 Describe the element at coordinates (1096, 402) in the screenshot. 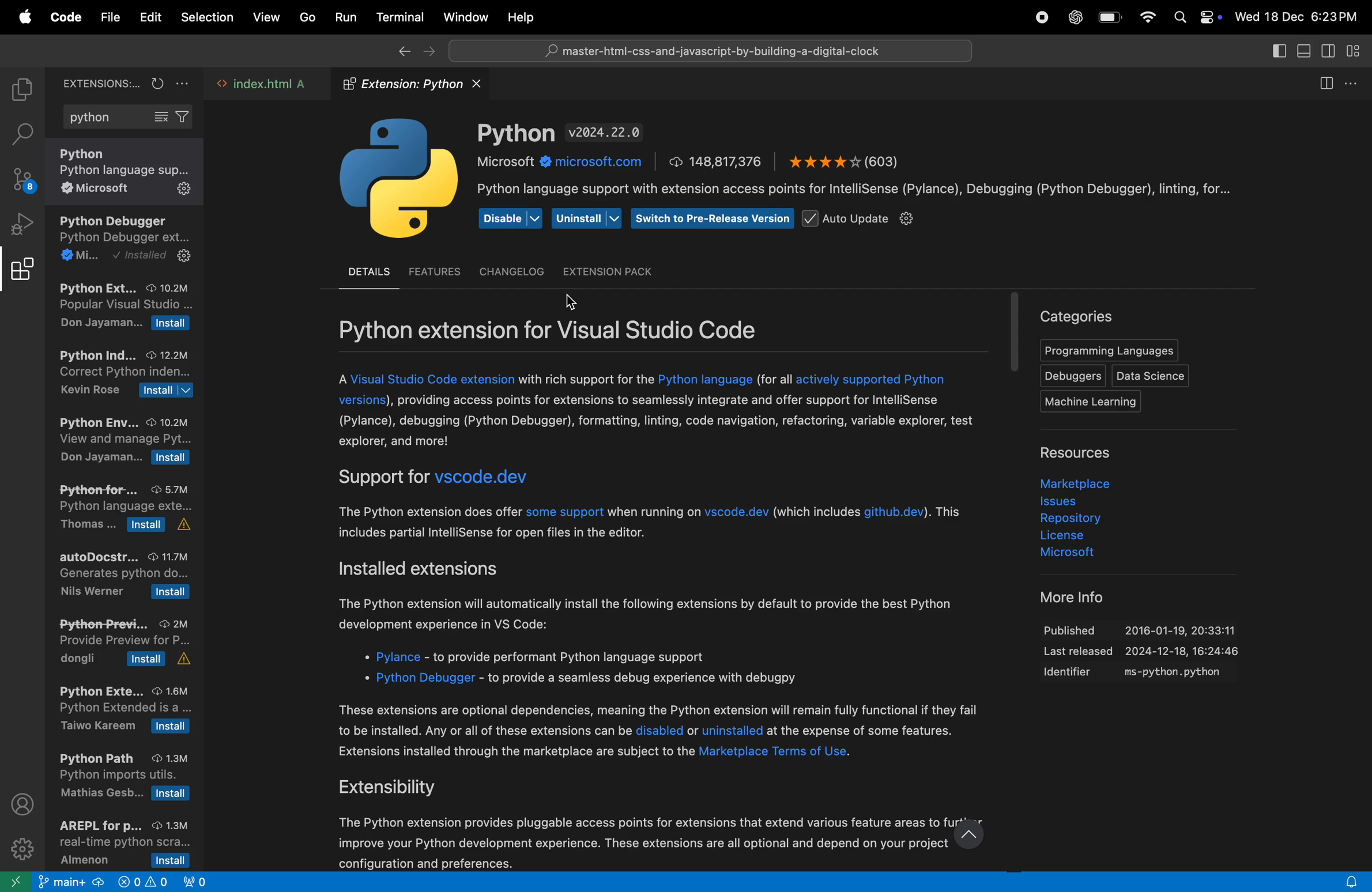

I see `machine learning` at that location.